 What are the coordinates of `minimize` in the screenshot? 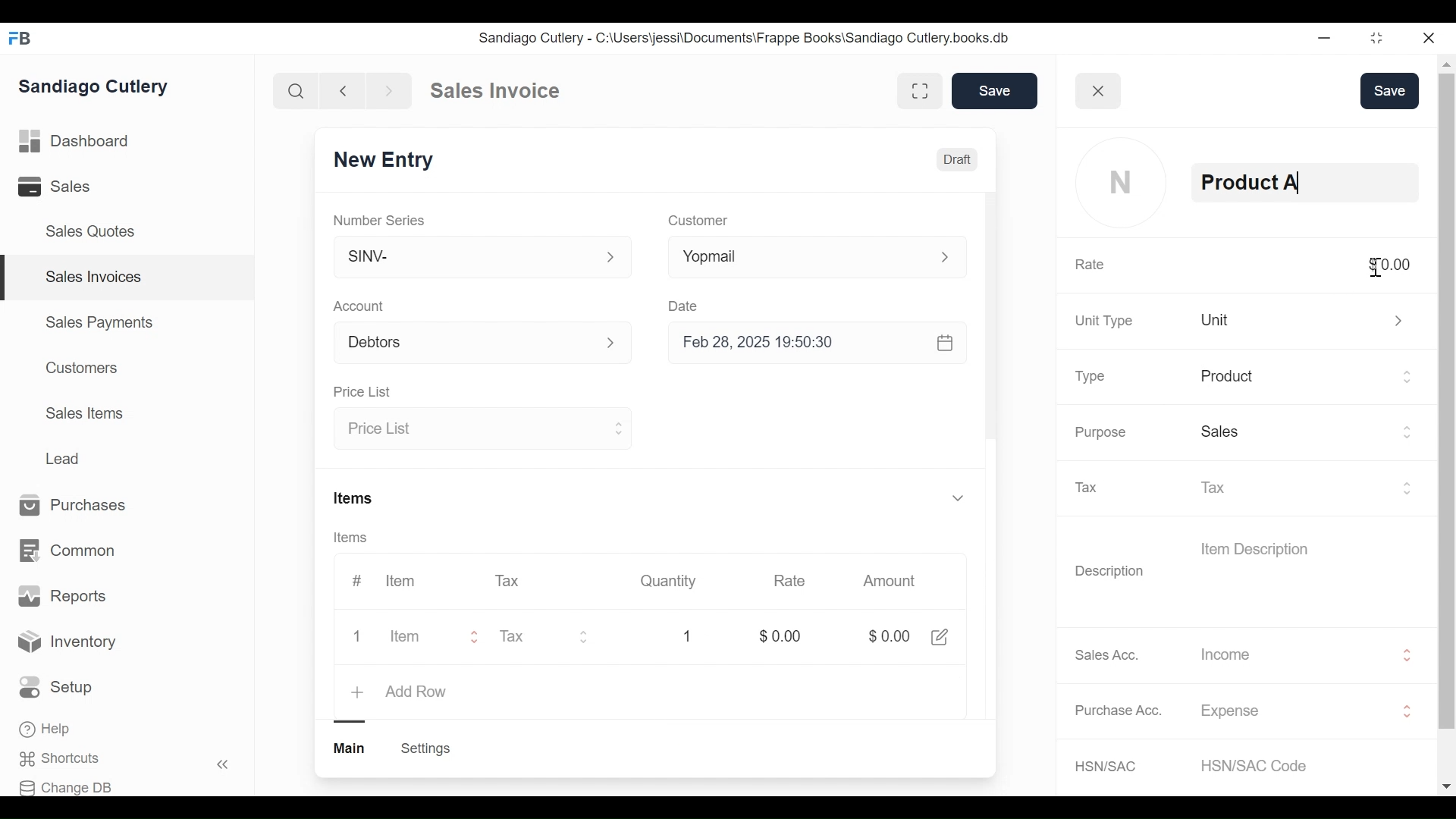 It's located at (1324, 37).